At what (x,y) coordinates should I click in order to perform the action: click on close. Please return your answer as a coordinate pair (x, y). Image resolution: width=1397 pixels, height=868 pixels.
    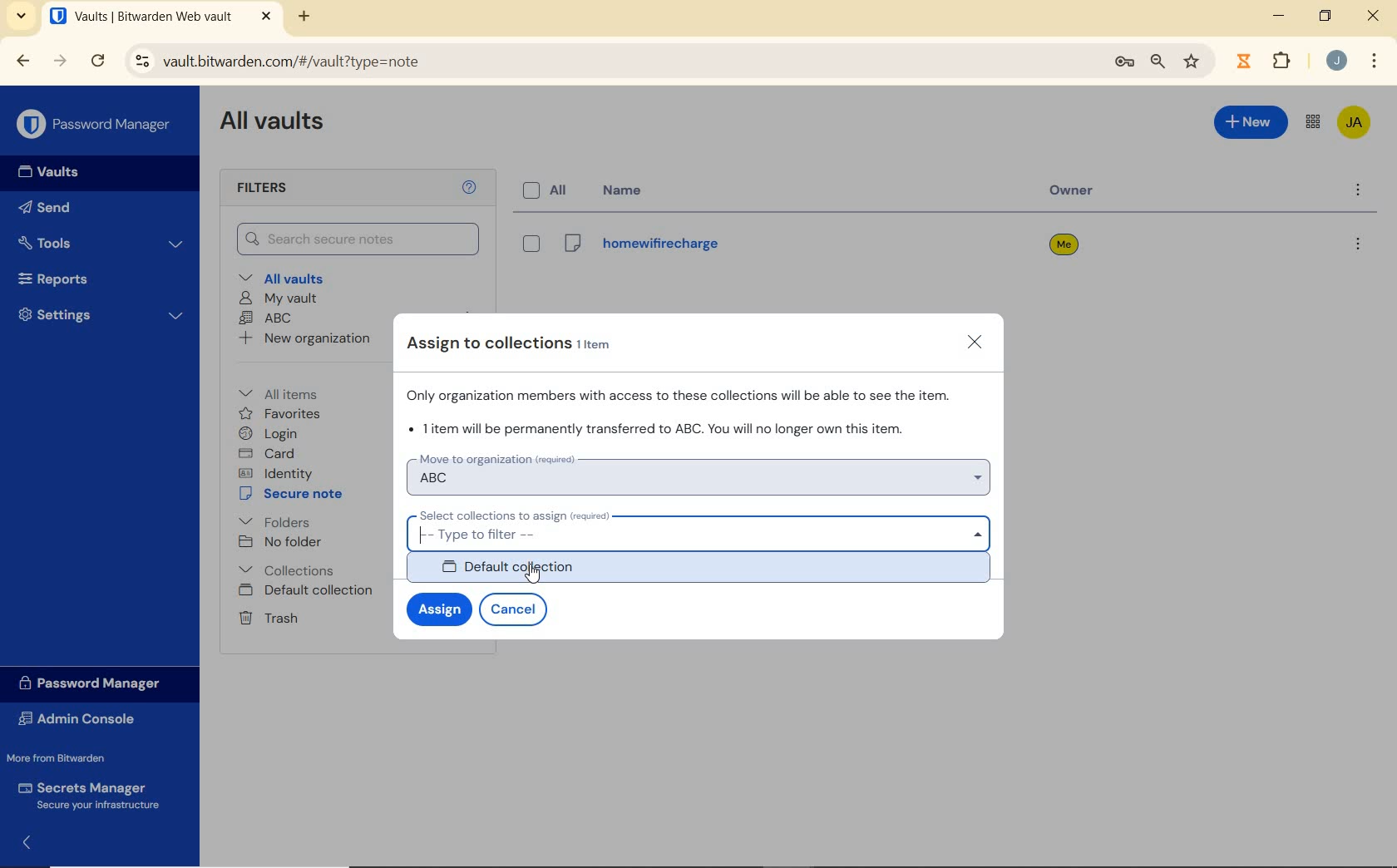
    Looking at the image, I should click on (1373, 15).